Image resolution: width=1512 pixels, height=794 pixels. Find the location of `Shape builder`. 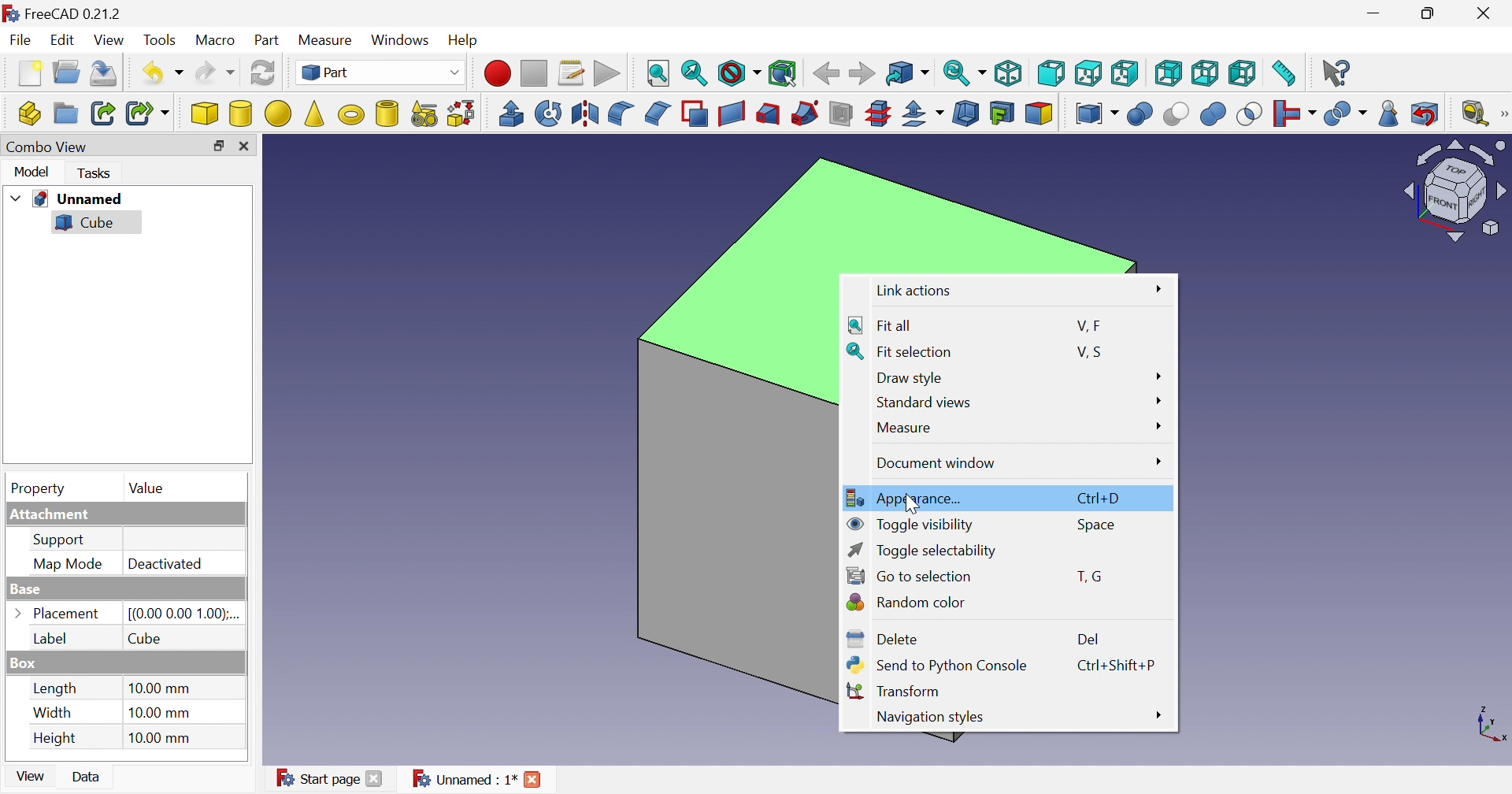

Shape builder is located at coordinates (463, 114).